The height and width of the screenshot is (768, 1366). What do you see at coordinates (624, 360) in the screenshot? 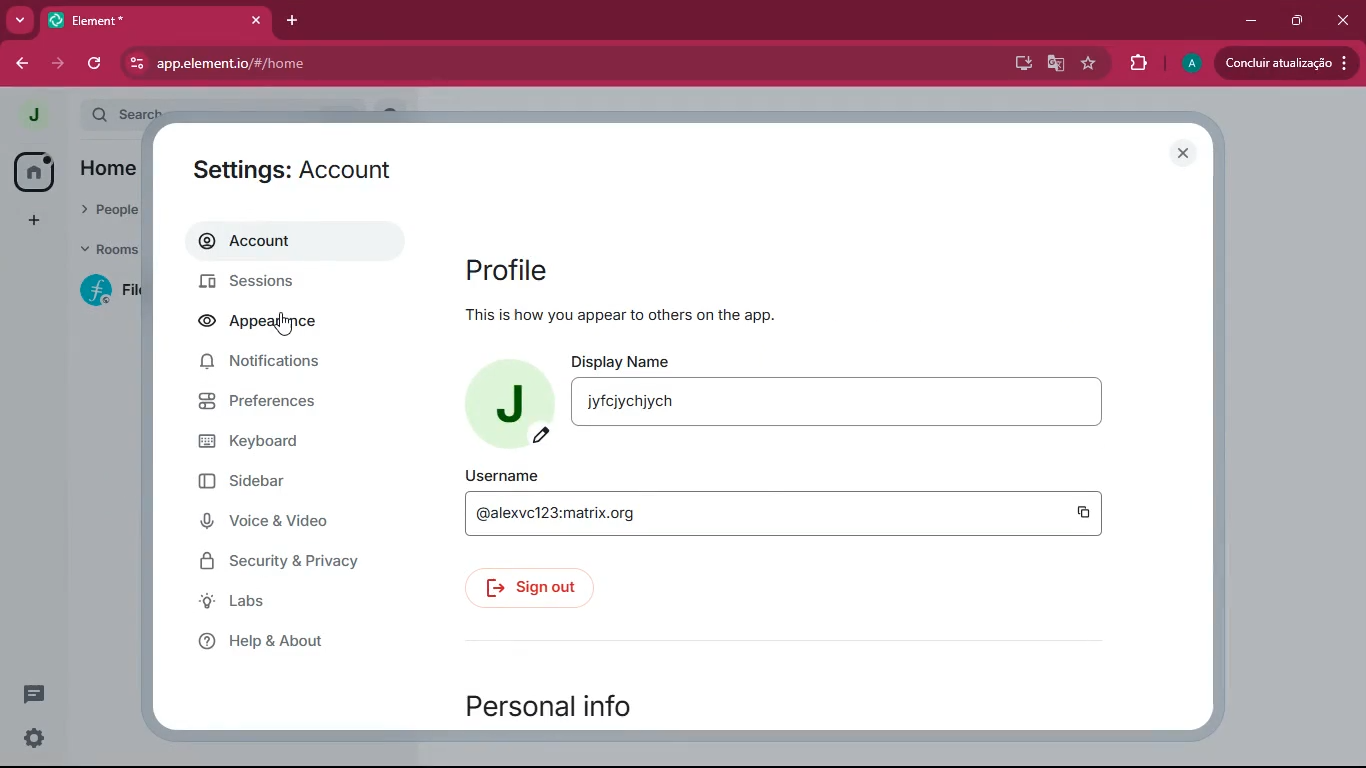
I see `Display Name` at bounding box center [624, 360].